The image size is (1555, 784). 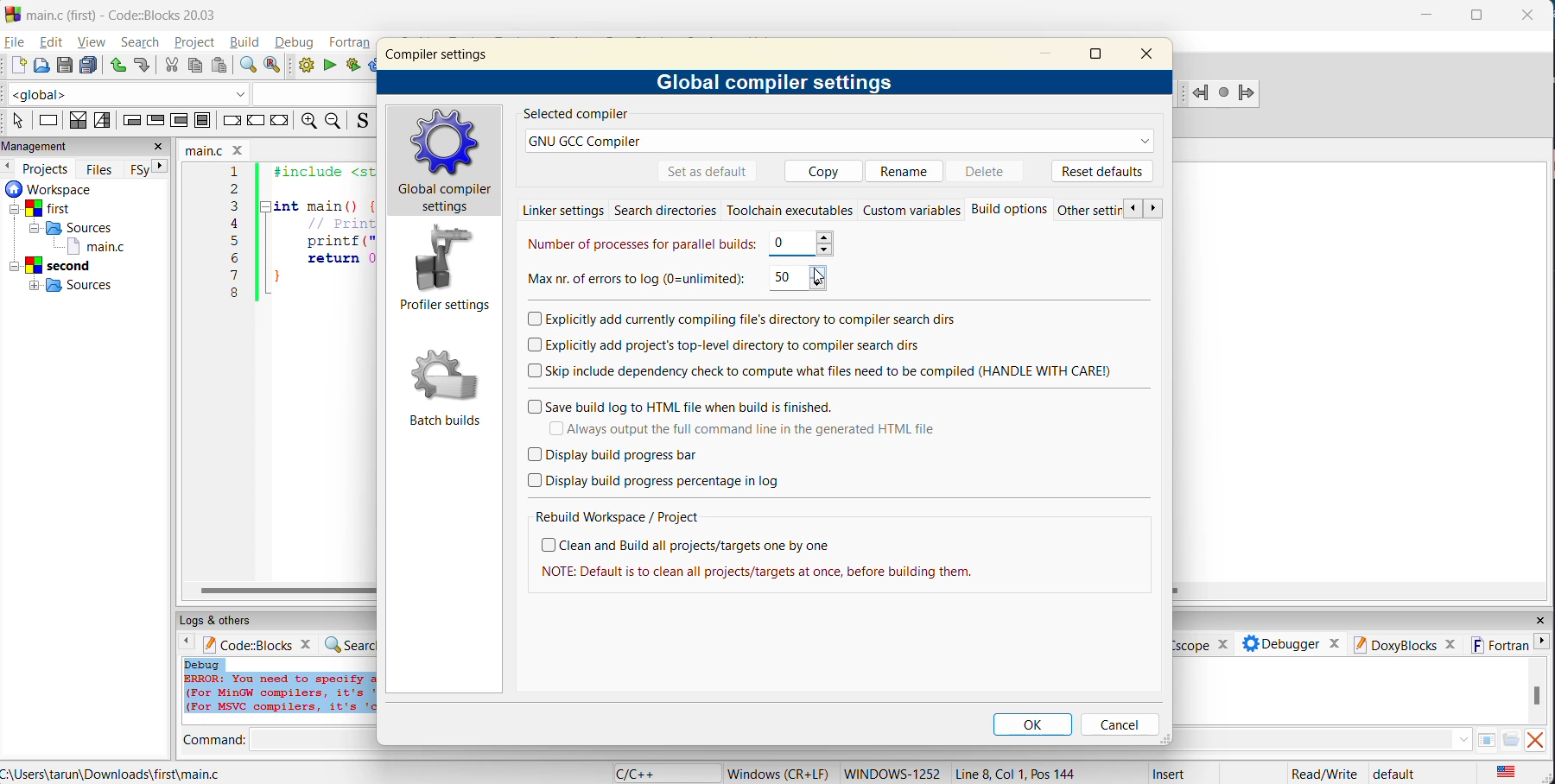 What do you see at coordinates (15, 66) in the screenshot?
I see `new` at bounding box center [15, 66].